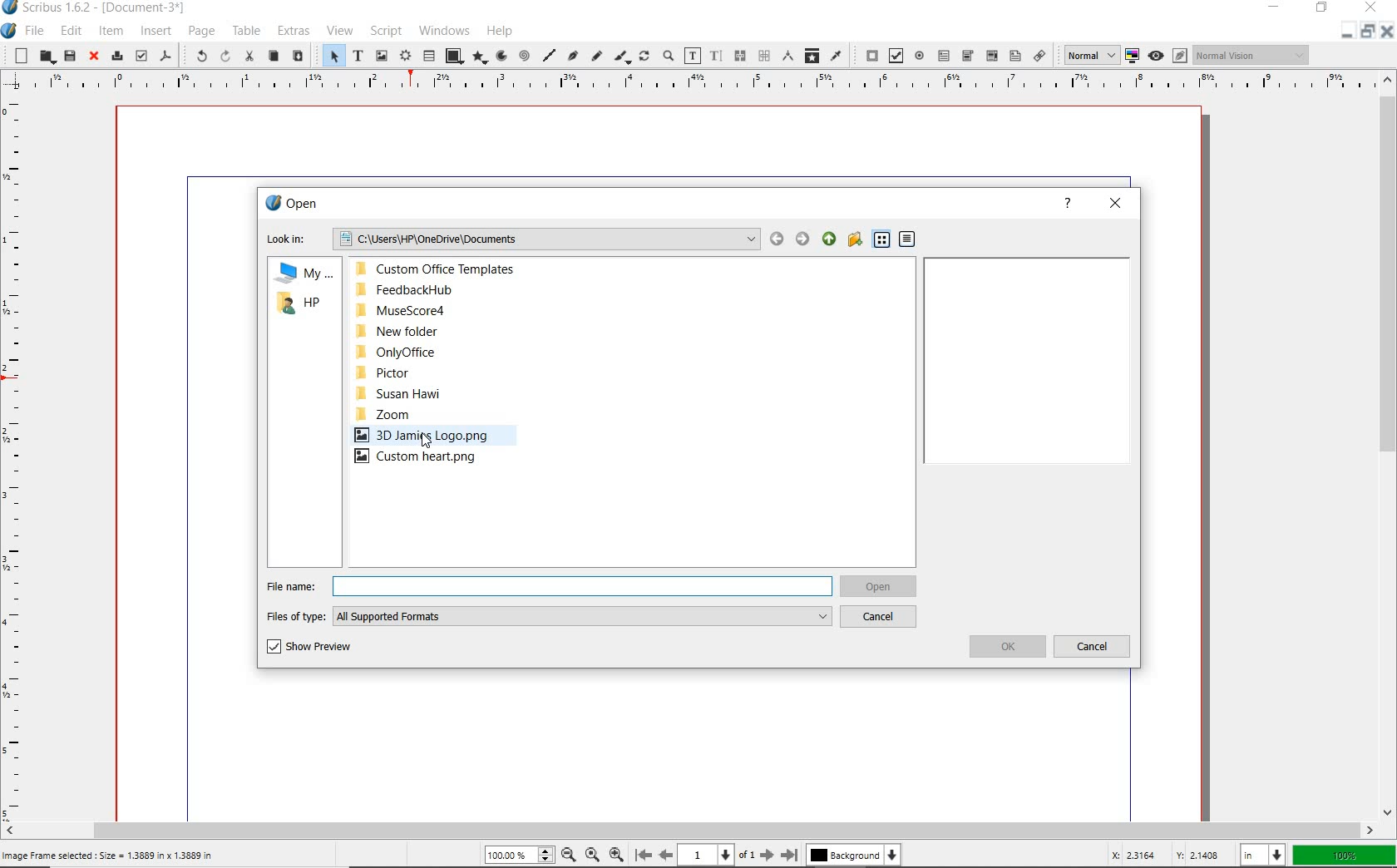  What do you see at coordinates (341, 29) in the screenshot?
I see `VIEW` at bounding box center [341, 29].